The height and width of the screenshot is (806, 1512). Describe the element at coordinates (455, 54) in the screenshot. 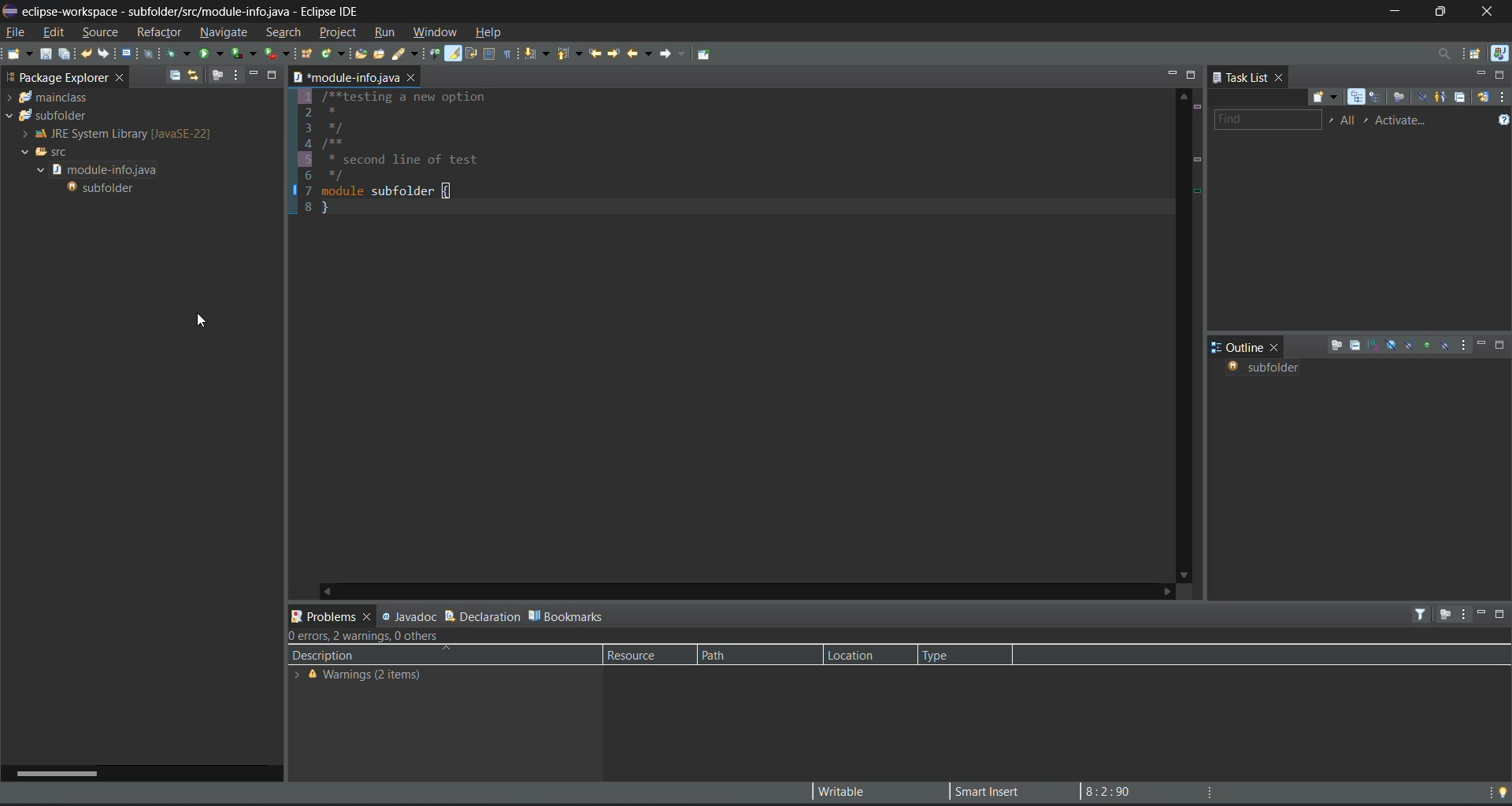

I see `toggle mark occurences` at that location.